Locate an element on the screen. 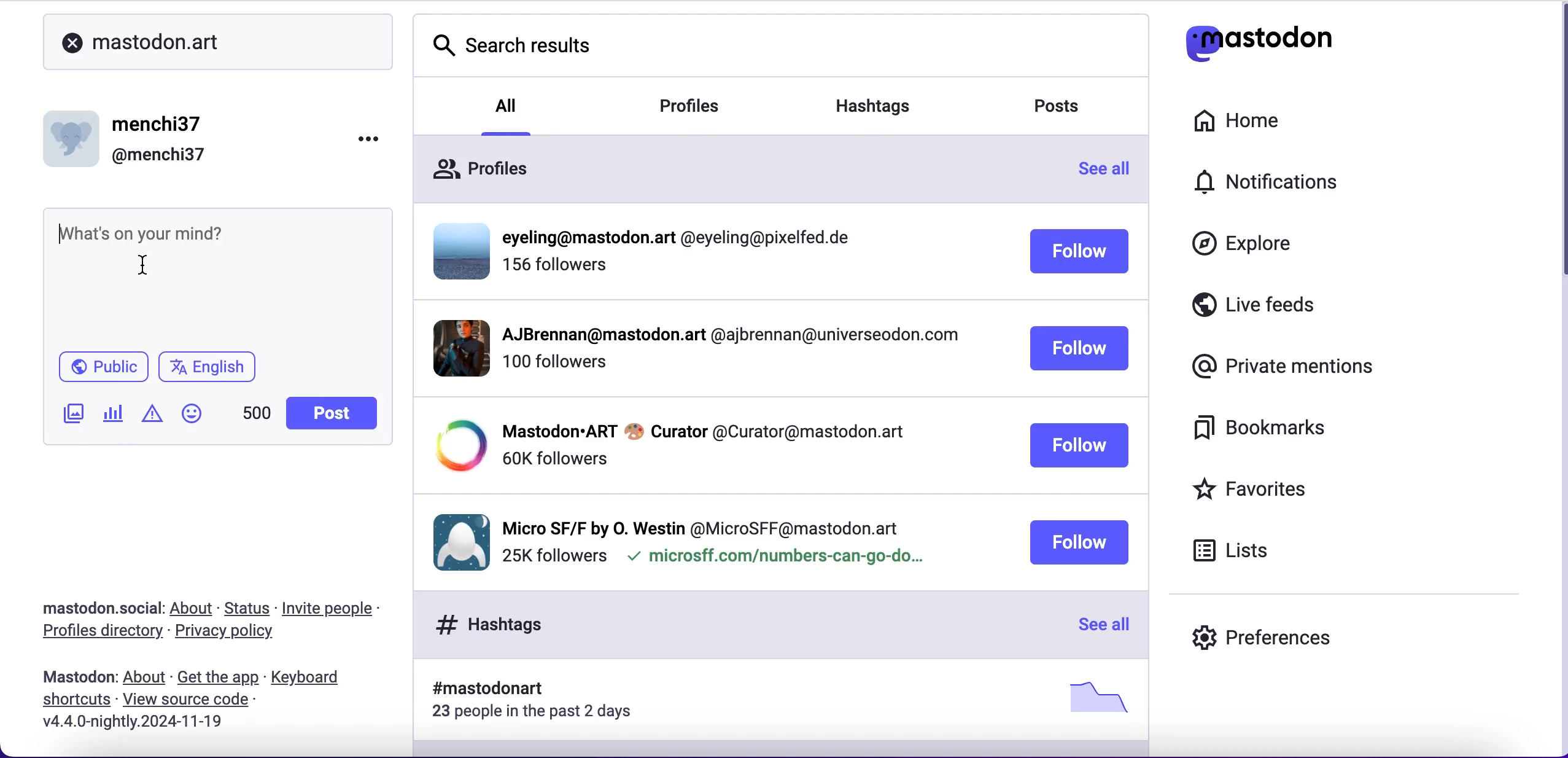 This screenshot has height=758, width=1568. add poll is located at coordinates (114, 415).